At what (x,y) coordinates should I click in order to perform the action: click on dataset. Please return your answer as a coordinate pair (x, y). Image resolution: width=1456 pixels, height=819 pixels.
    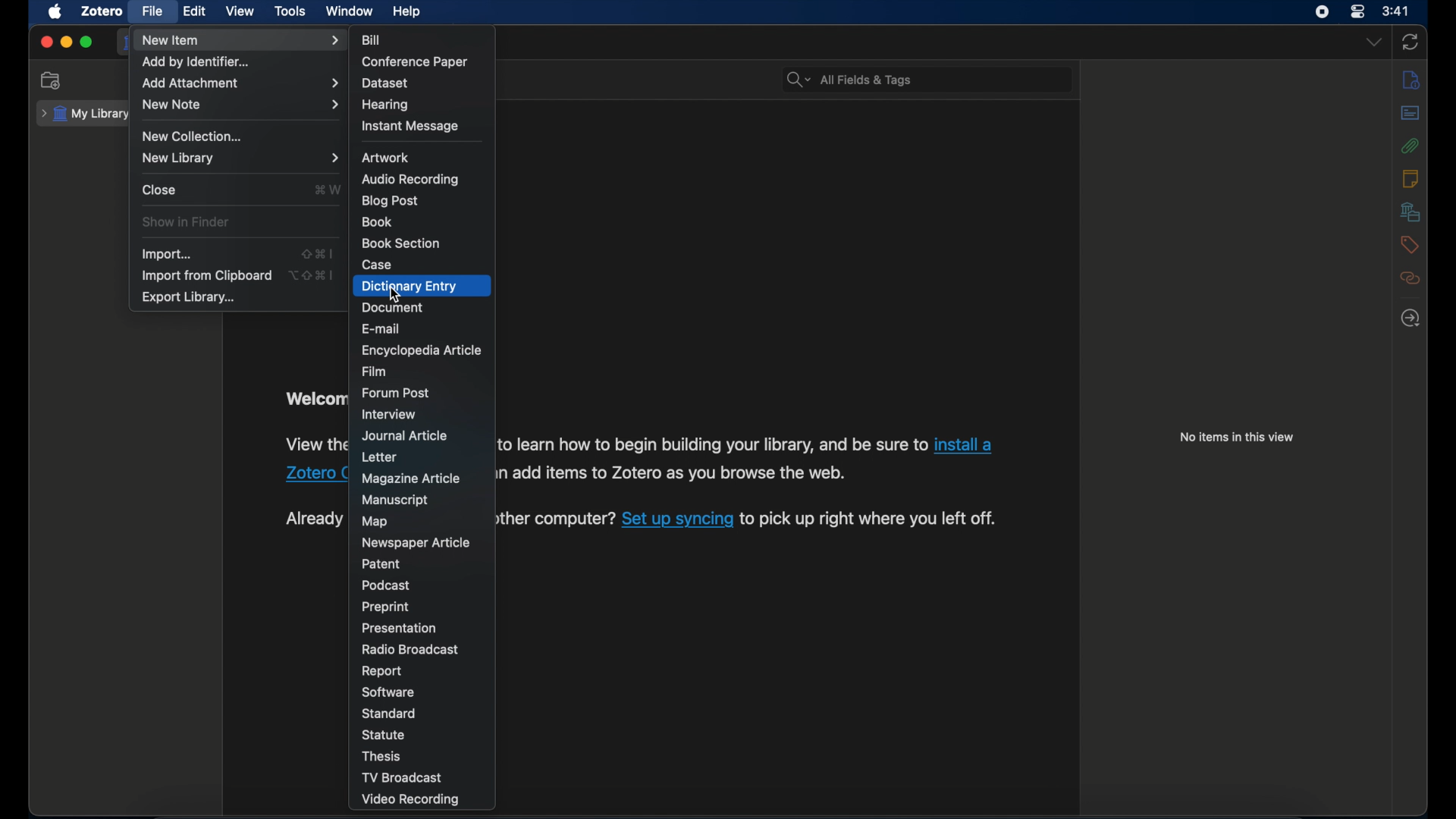
    Looking at the image, I should click on (384, 83).